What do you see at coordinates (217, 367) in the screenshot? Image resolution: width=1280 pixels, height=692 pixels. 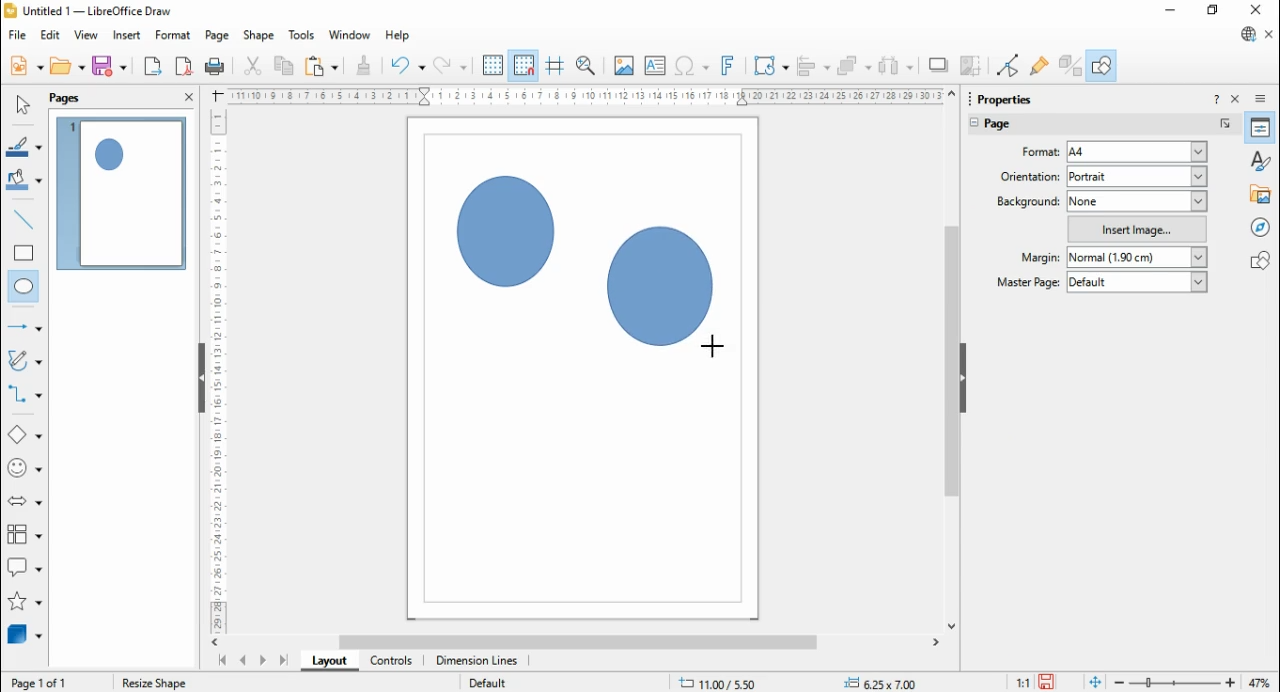 I see `Scale` at bounding box center [217, 367].